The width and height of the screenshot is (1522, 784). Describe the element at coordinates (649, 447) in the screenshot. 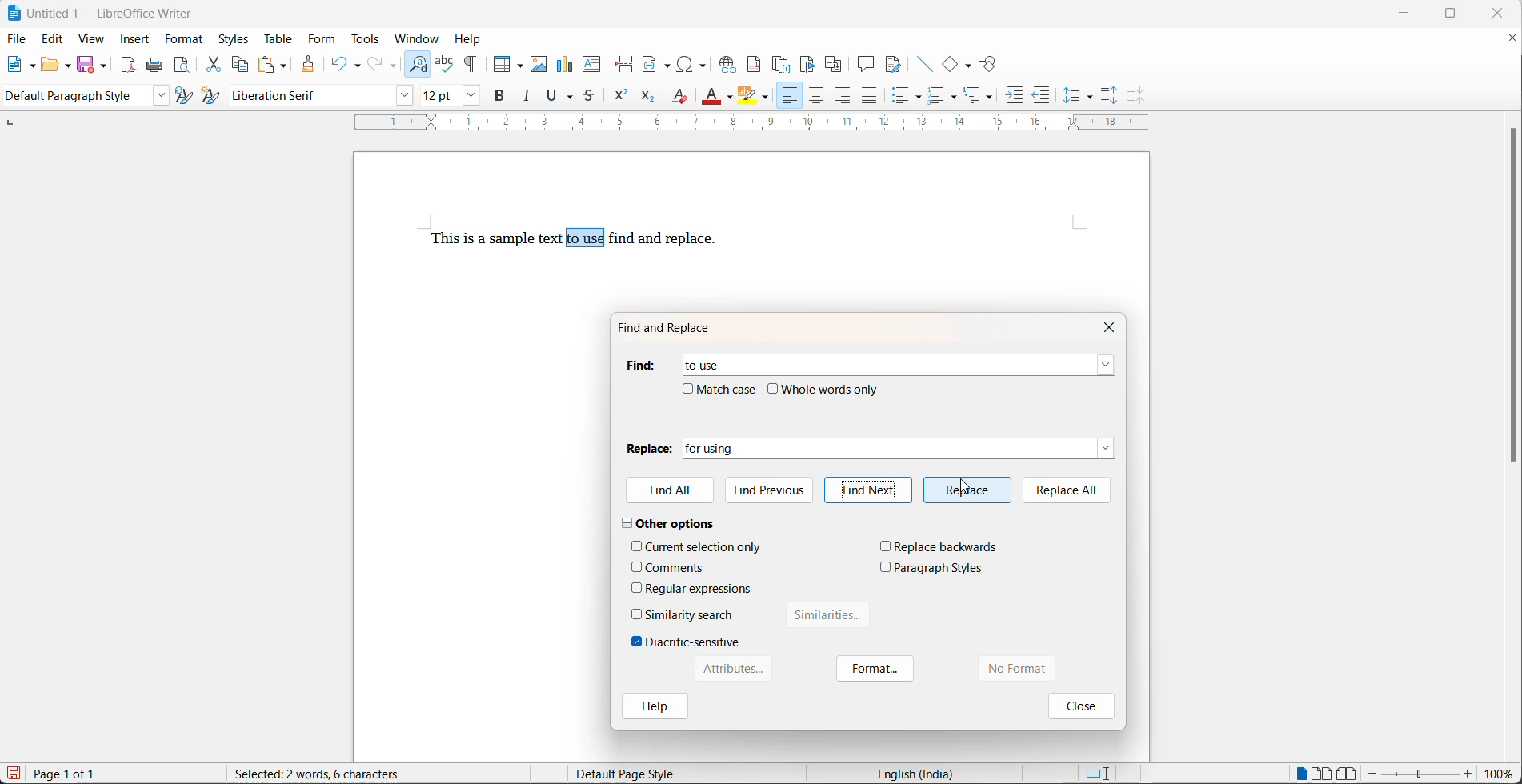

I see `replace heading` at that location.